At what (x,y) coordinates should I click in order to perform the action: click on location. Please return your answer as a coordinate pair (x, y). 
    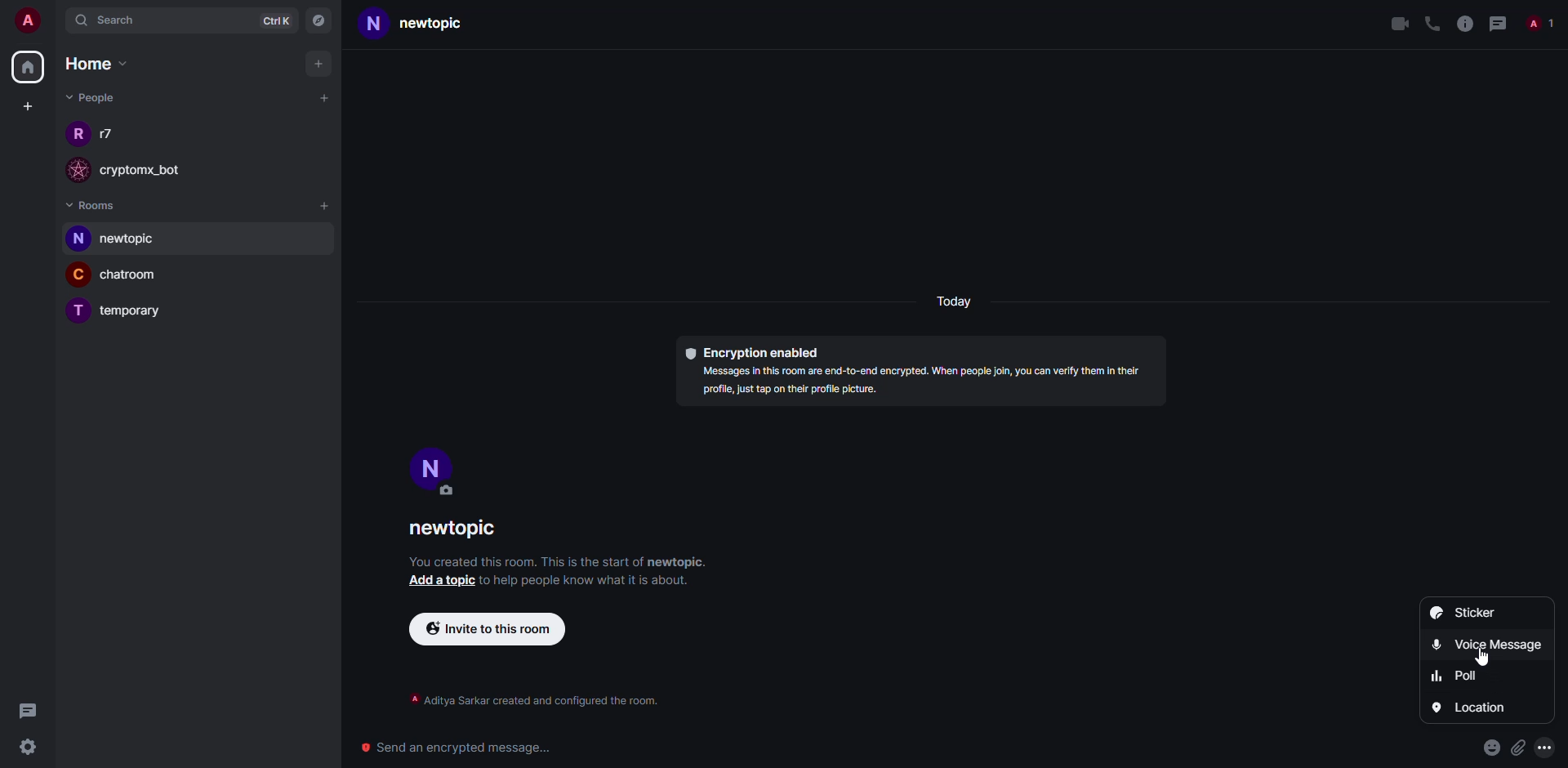
    Looking at the image, I should click on (1472, 706).